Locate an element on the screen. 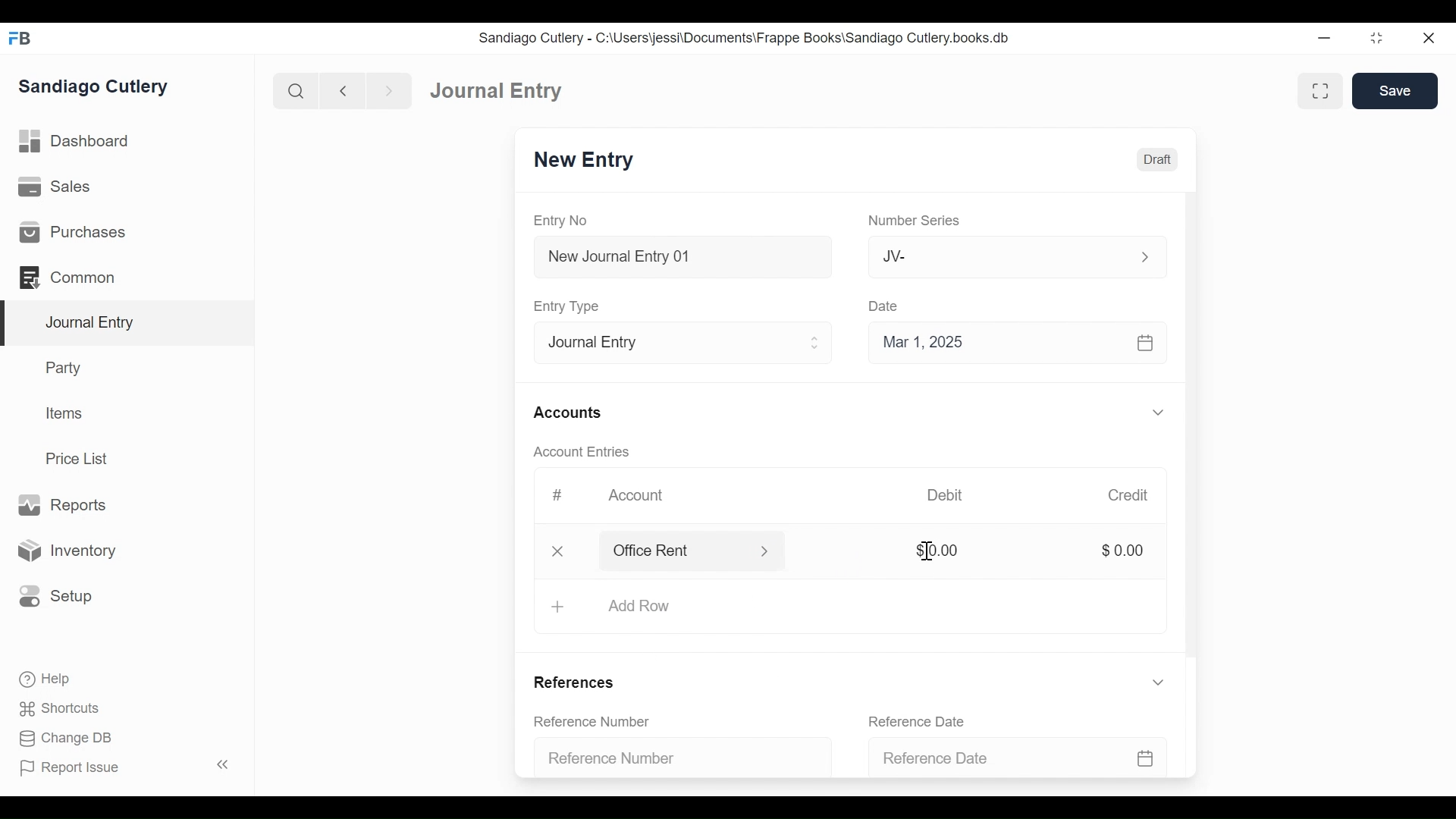 This screenshot has height=819, width=1456. next is located at coordinates (384, 89).